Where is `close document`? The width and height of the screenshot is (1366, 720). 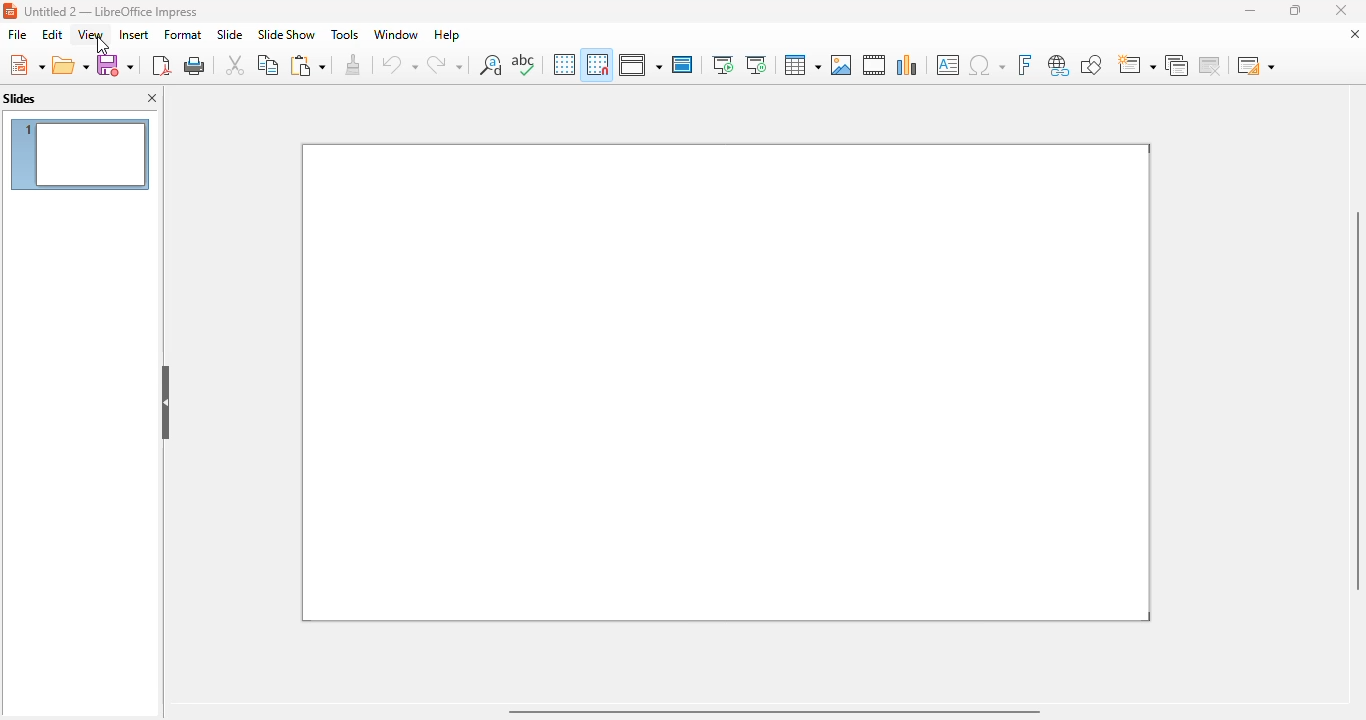 close document is located at coordinates (1354, 34).